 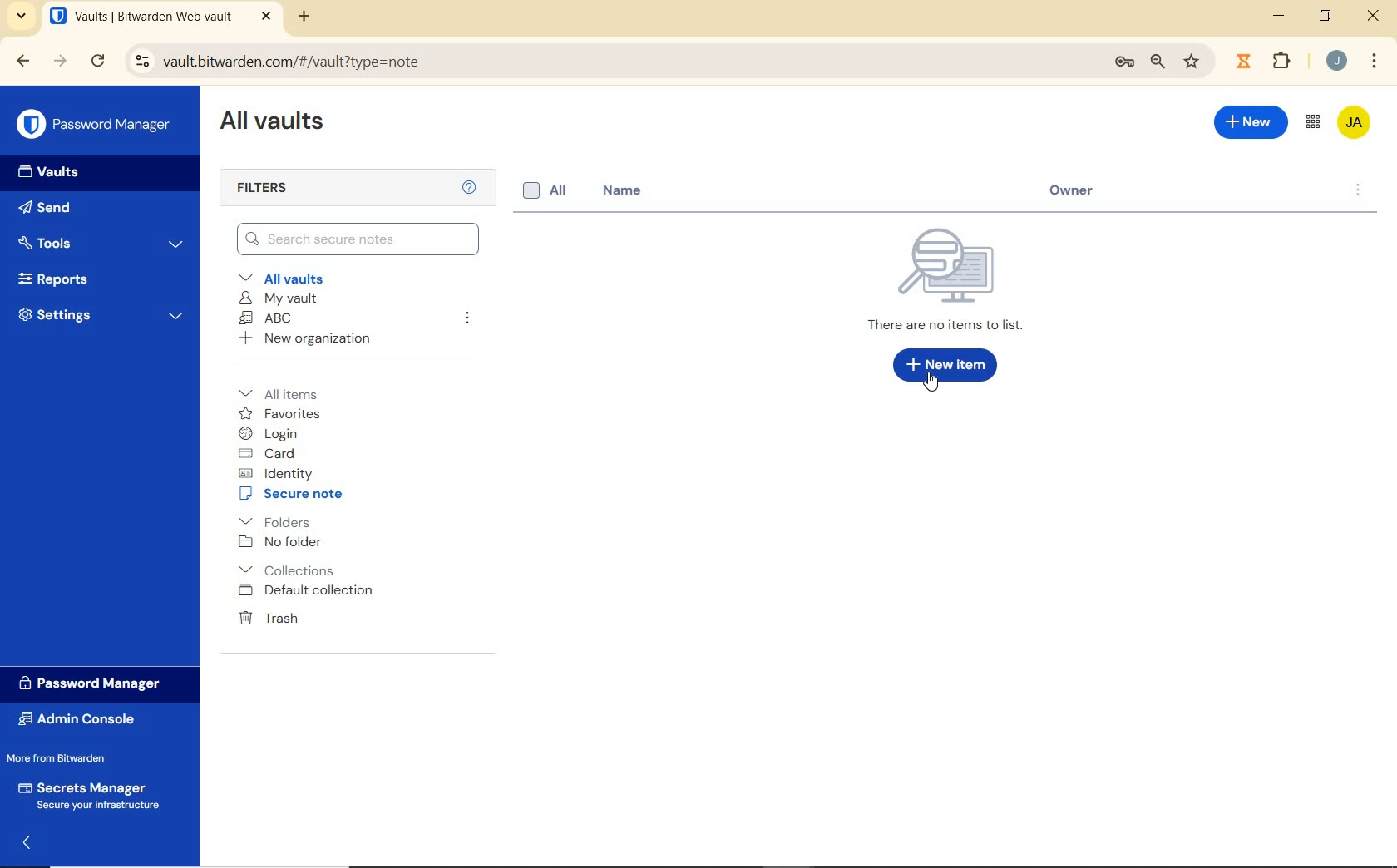 I want to click on All Vaults, so click(x=273, y=124).